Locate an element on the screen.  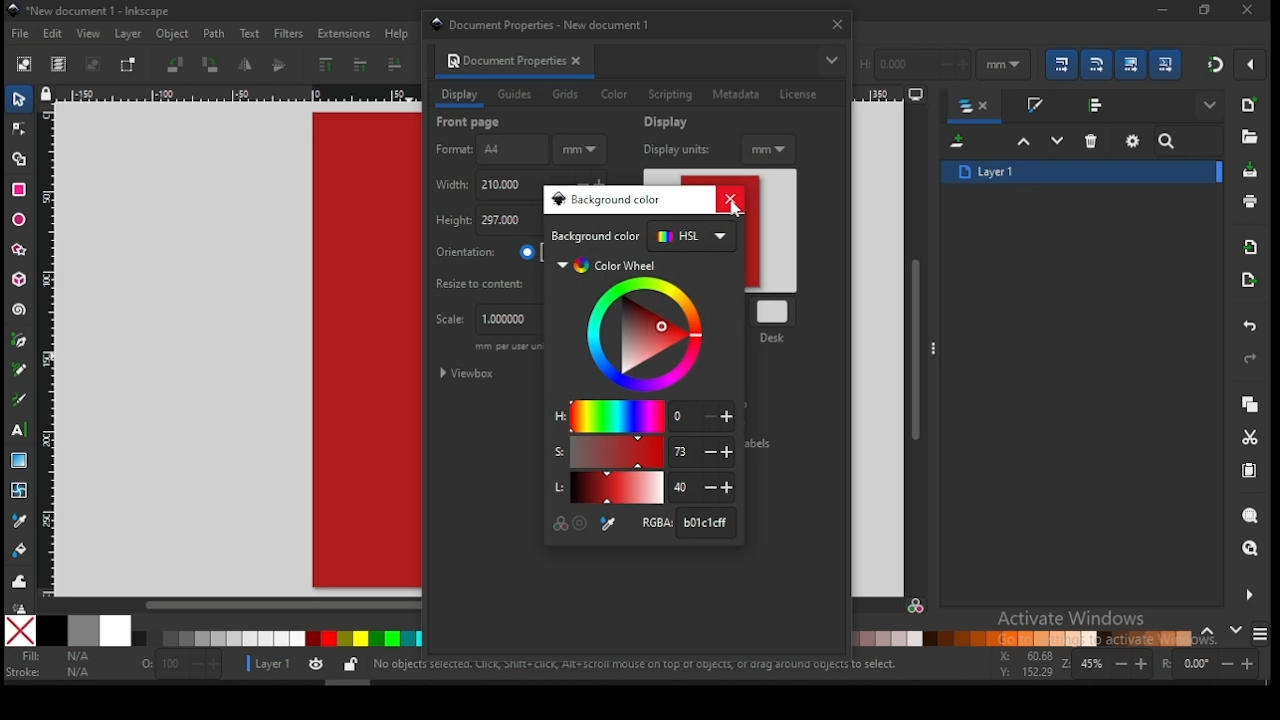
tweak tool is located at coordinates (20, 581).